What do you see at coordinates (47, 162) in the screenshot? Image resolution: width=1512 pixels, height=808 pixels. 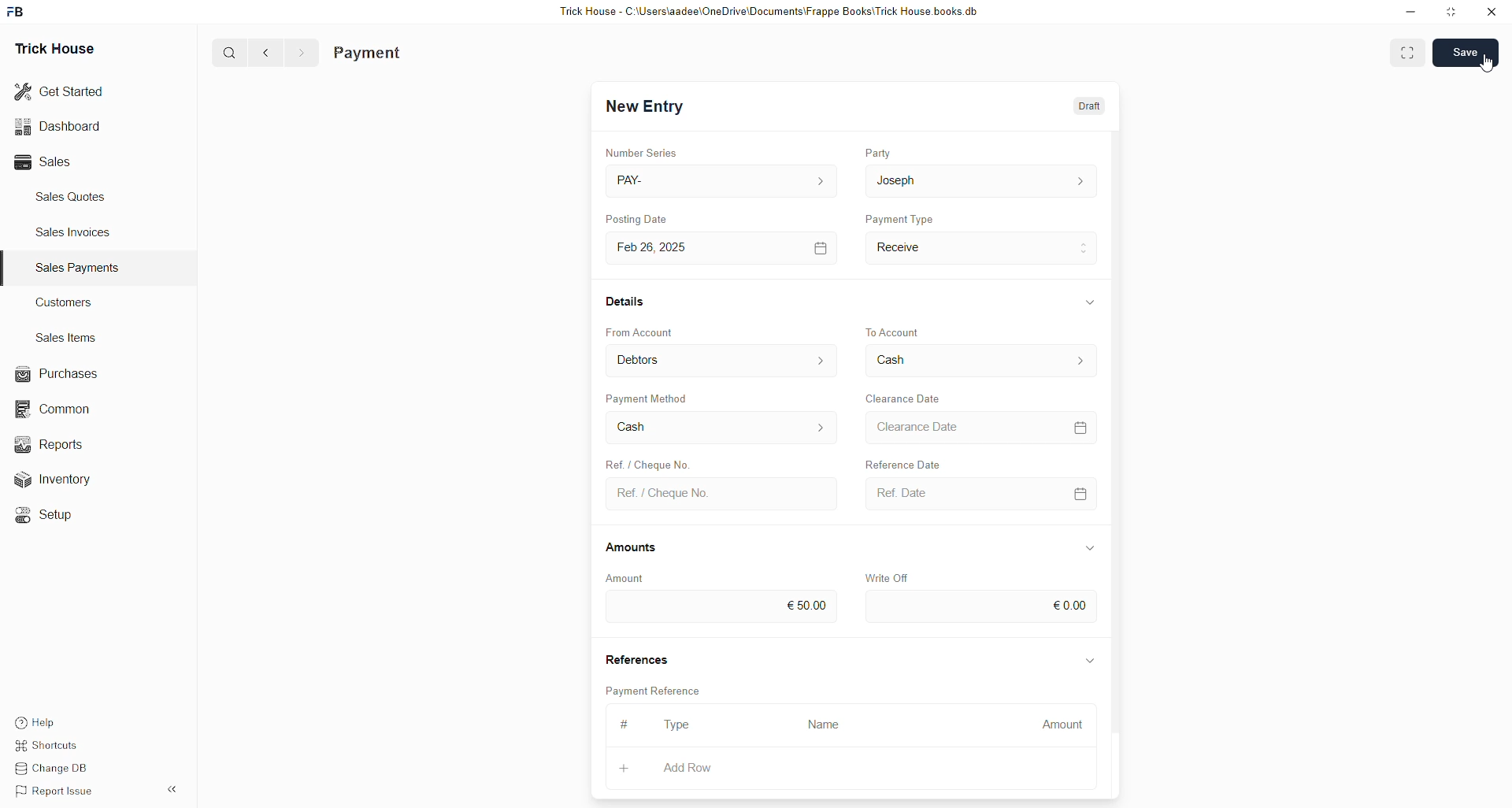 I see `Sales` at bounding box center [47, 162].